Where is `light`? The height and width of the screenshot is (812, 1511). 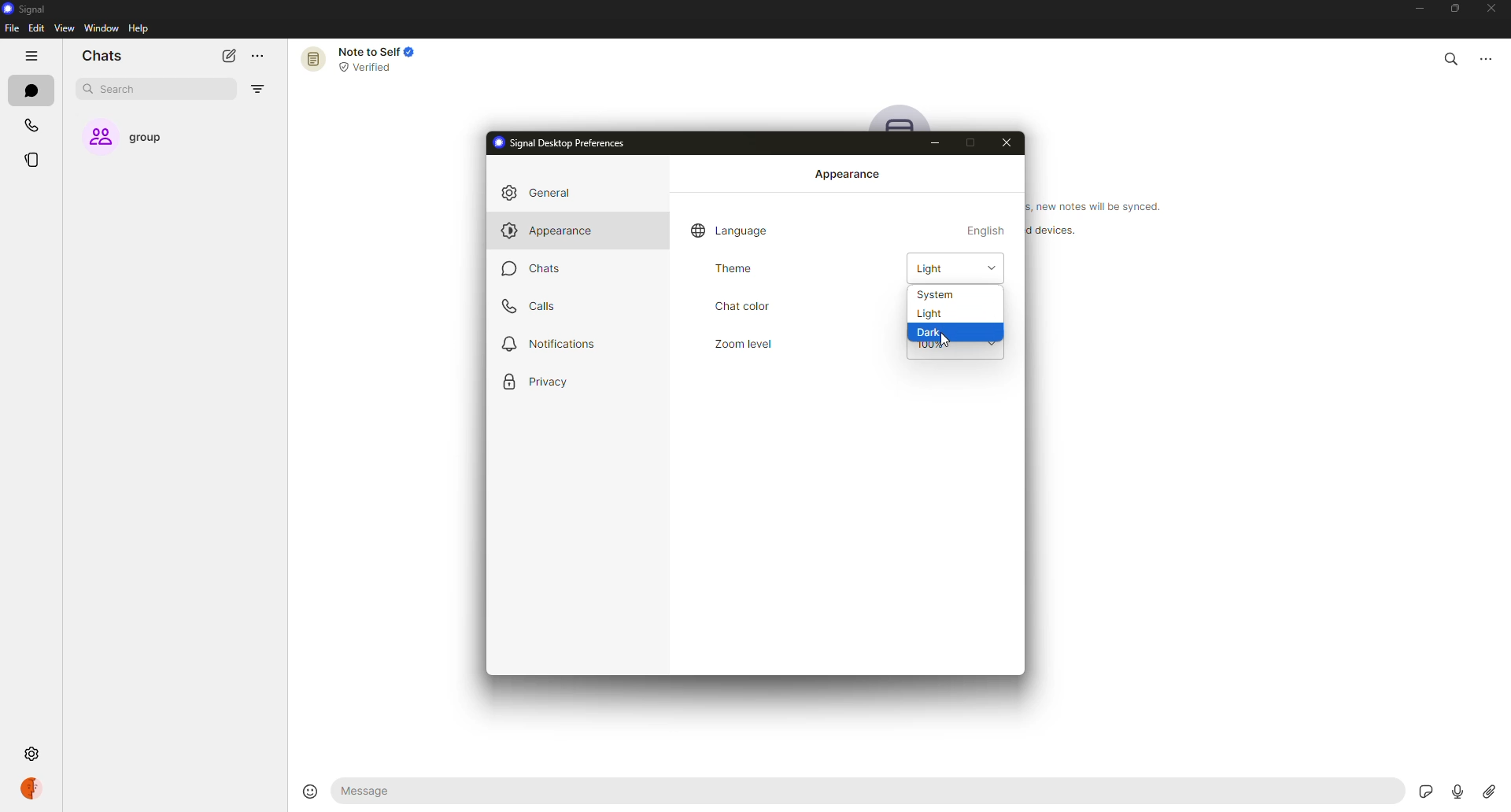
light is located at coordinates (946, 269).